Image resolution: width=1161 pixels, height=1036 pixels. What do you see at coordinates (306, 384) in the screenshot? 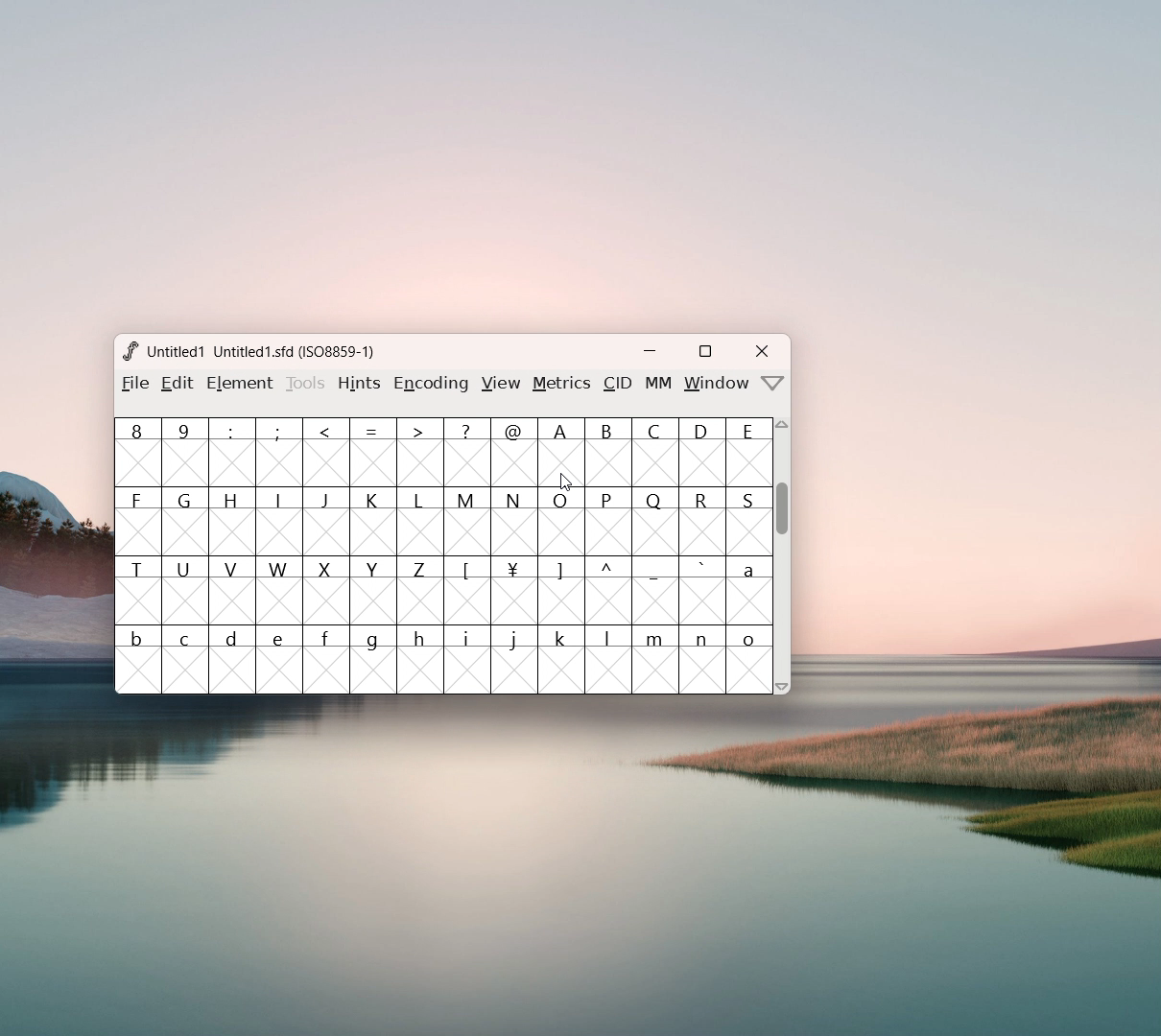
I see `tools` at bounding box center [306, 384].